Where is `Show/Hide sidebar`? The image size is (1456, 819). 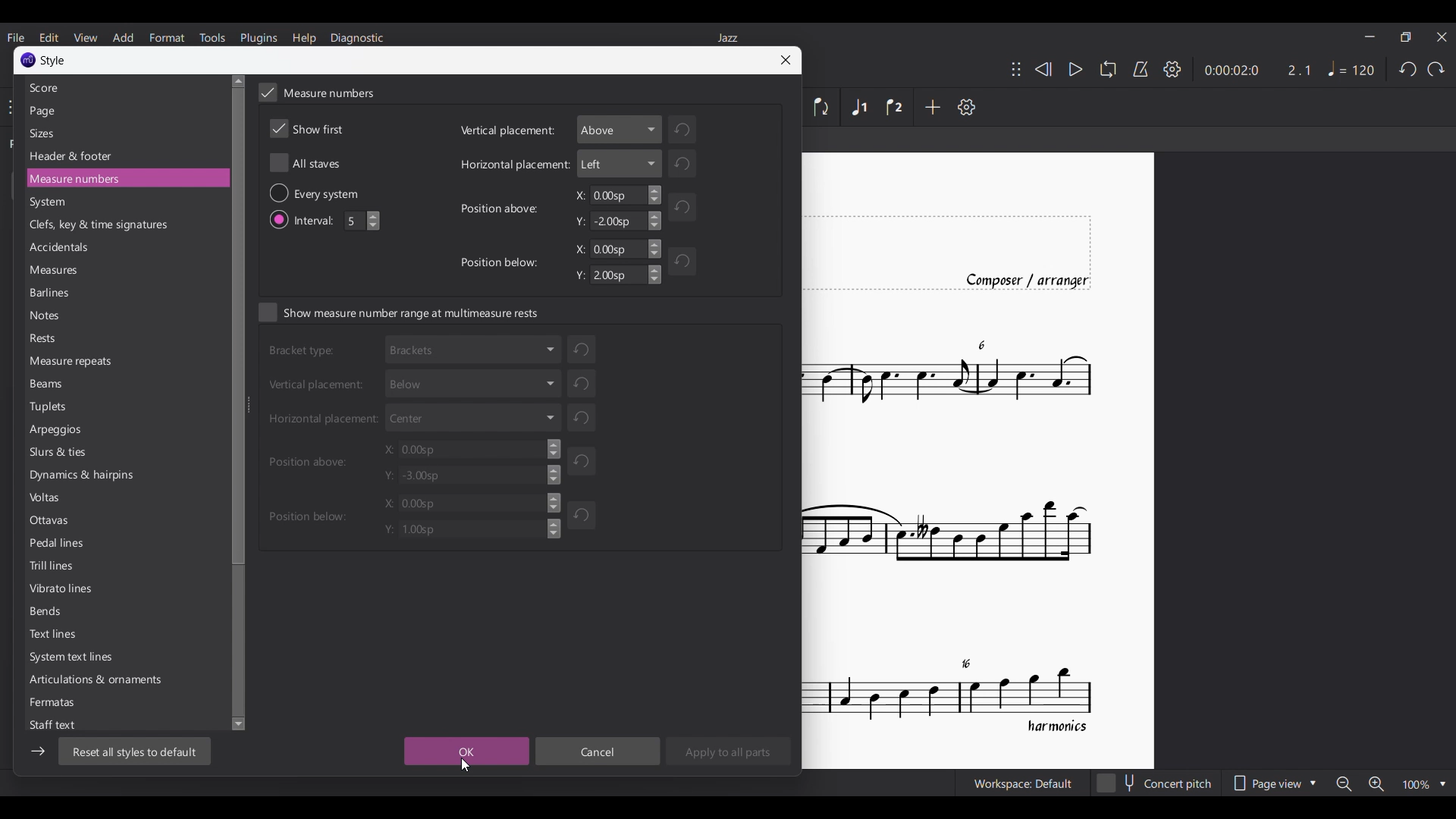 Show/Hide sidebar is located at coordinates (38, 751).